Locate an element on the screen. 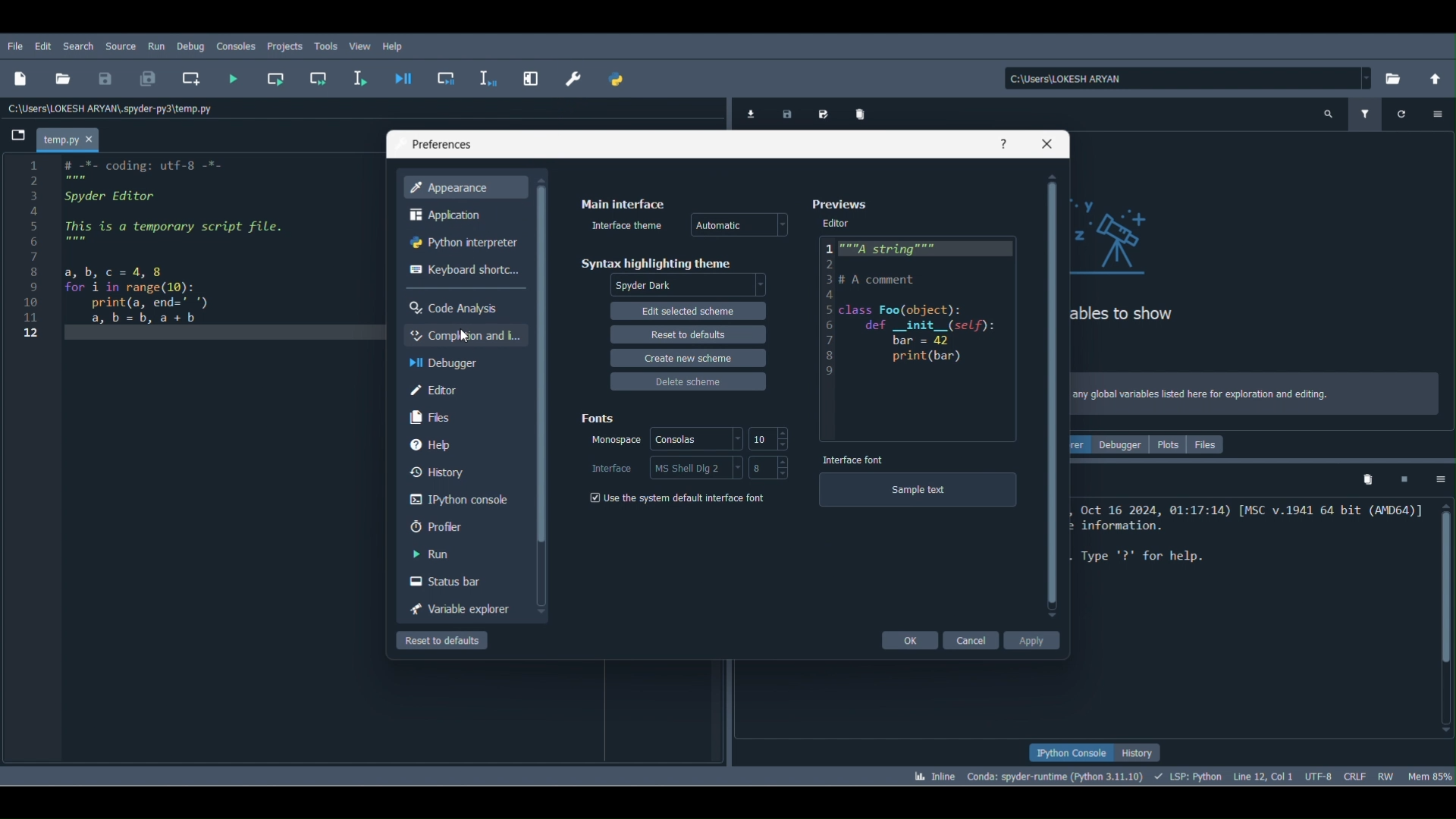 This screenshot has width=1456, height=819. Files is located at coordinates (429, 416).